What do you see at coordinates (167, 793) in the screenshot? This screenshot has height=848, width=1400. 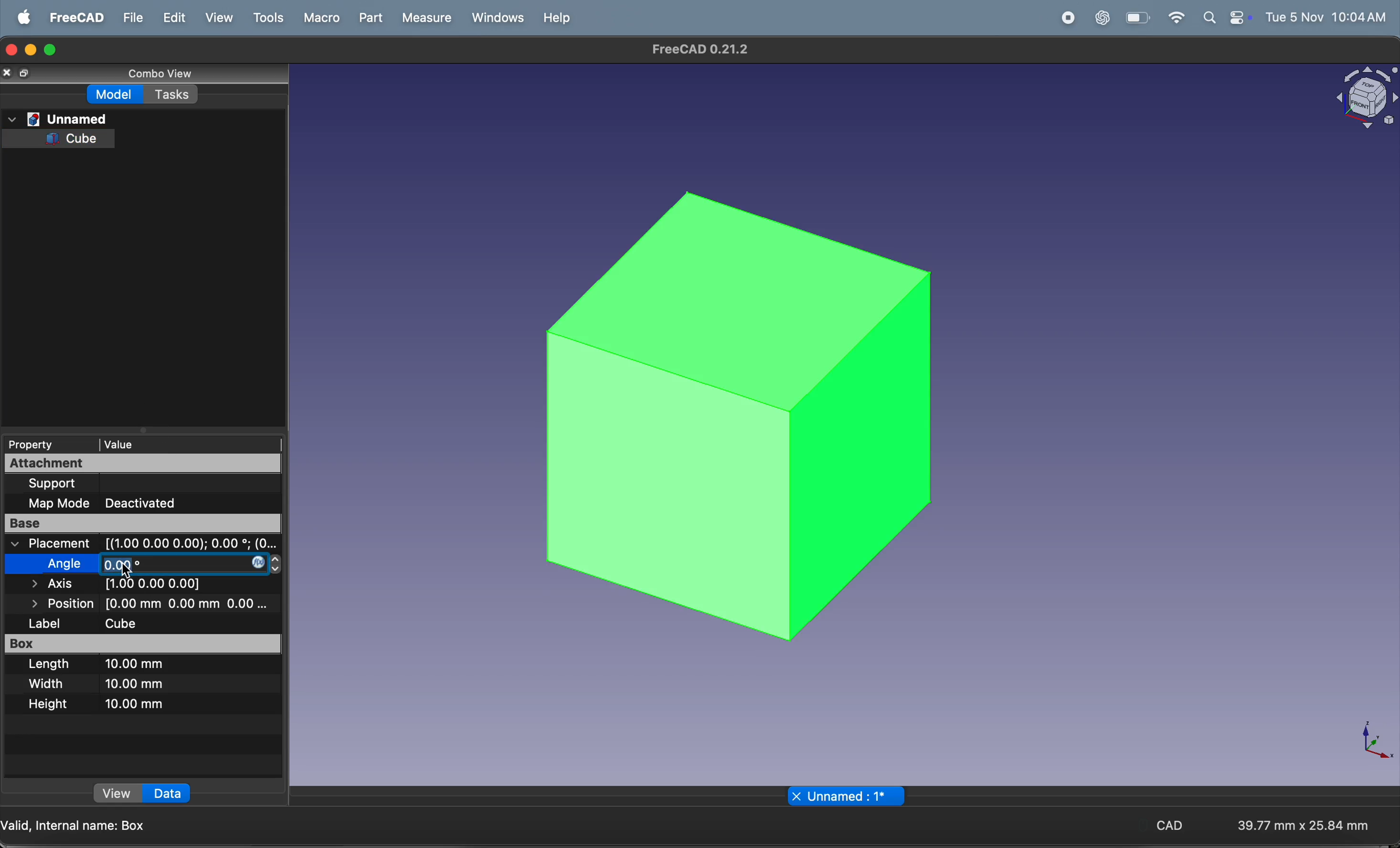 I see `Data »` at bounding box center [167, 793].